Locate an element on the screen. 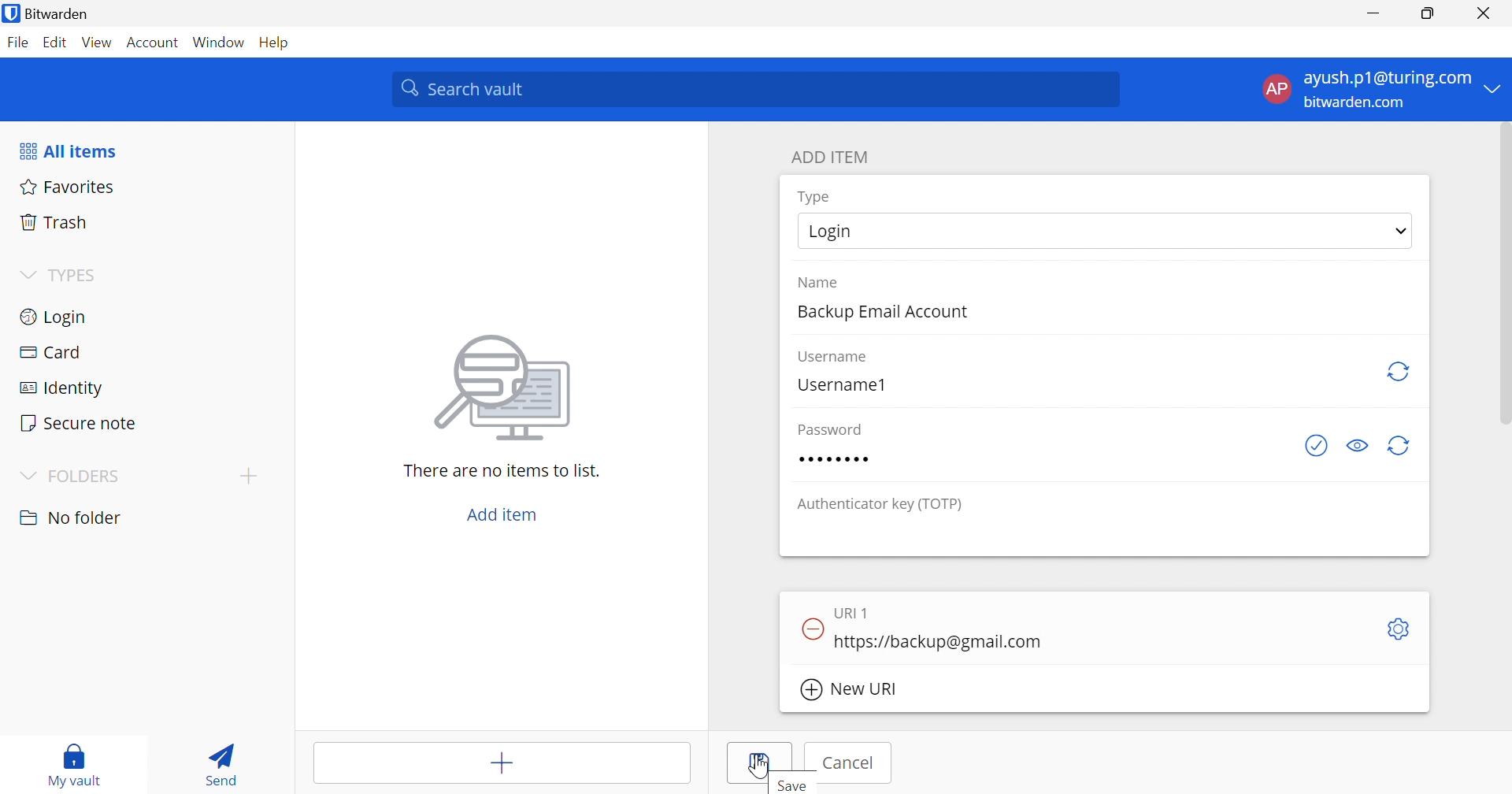 This screenshot has width=1512, height=794. New URl is located at coordinates (849, 690).